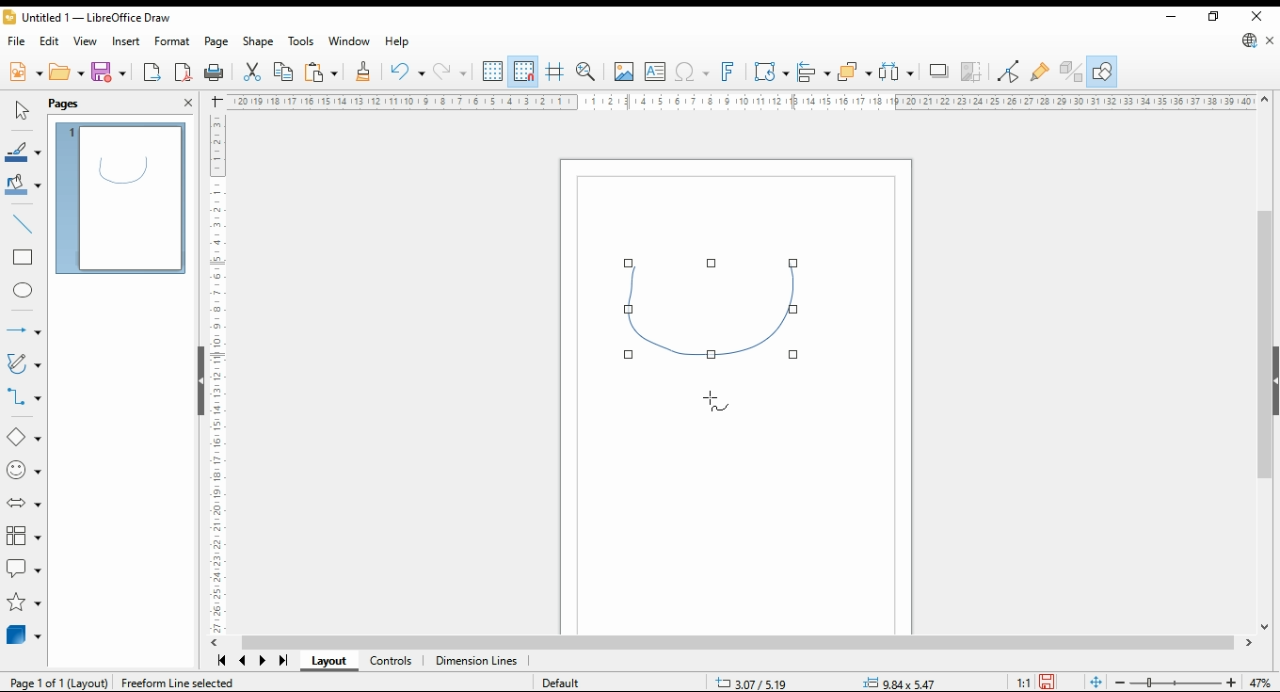  I want to click on line color, so click(22, 153).